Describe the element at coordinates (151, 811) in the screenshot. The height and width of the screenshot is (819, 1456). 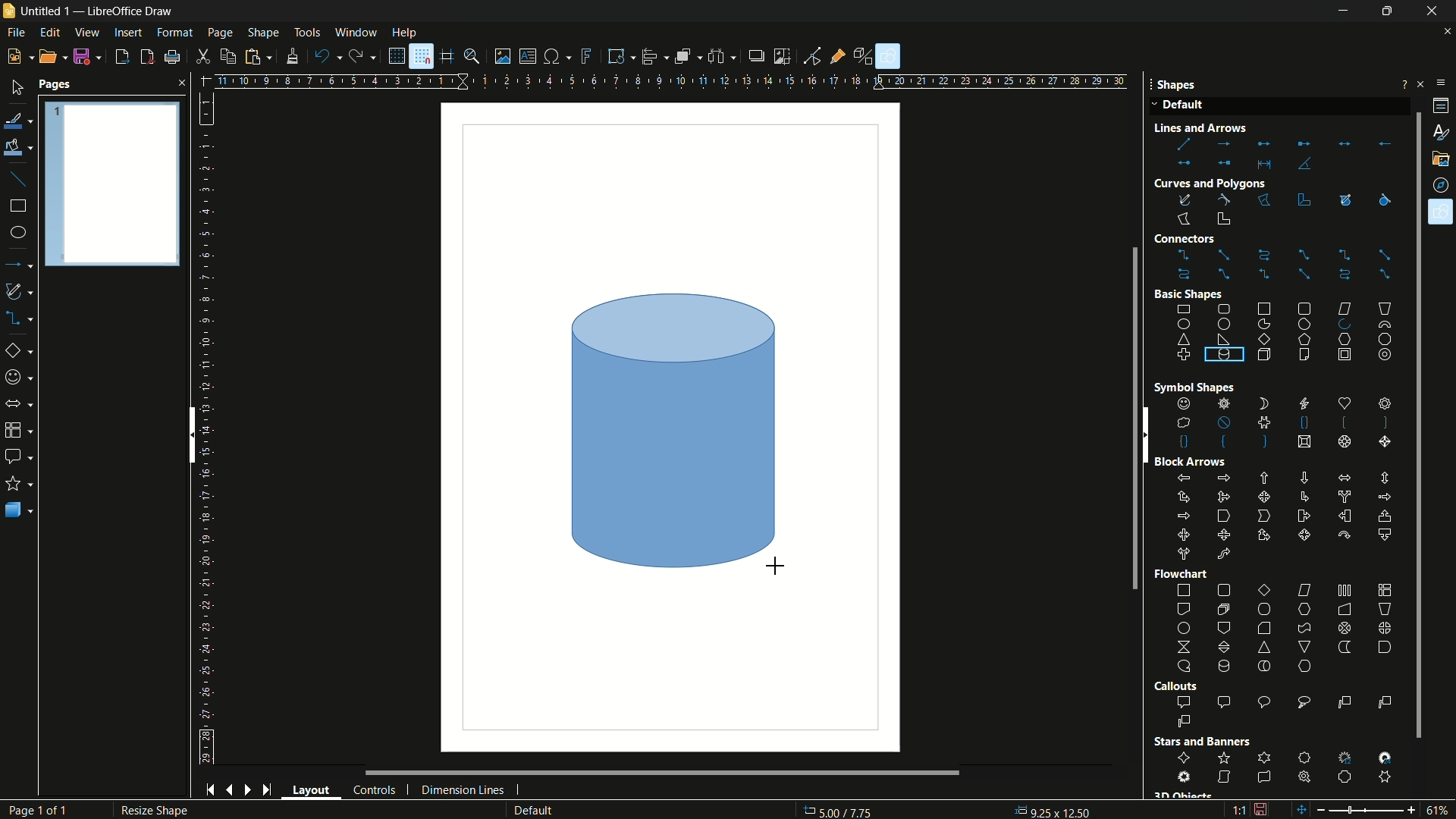
I see `Resize Shape` at that location.